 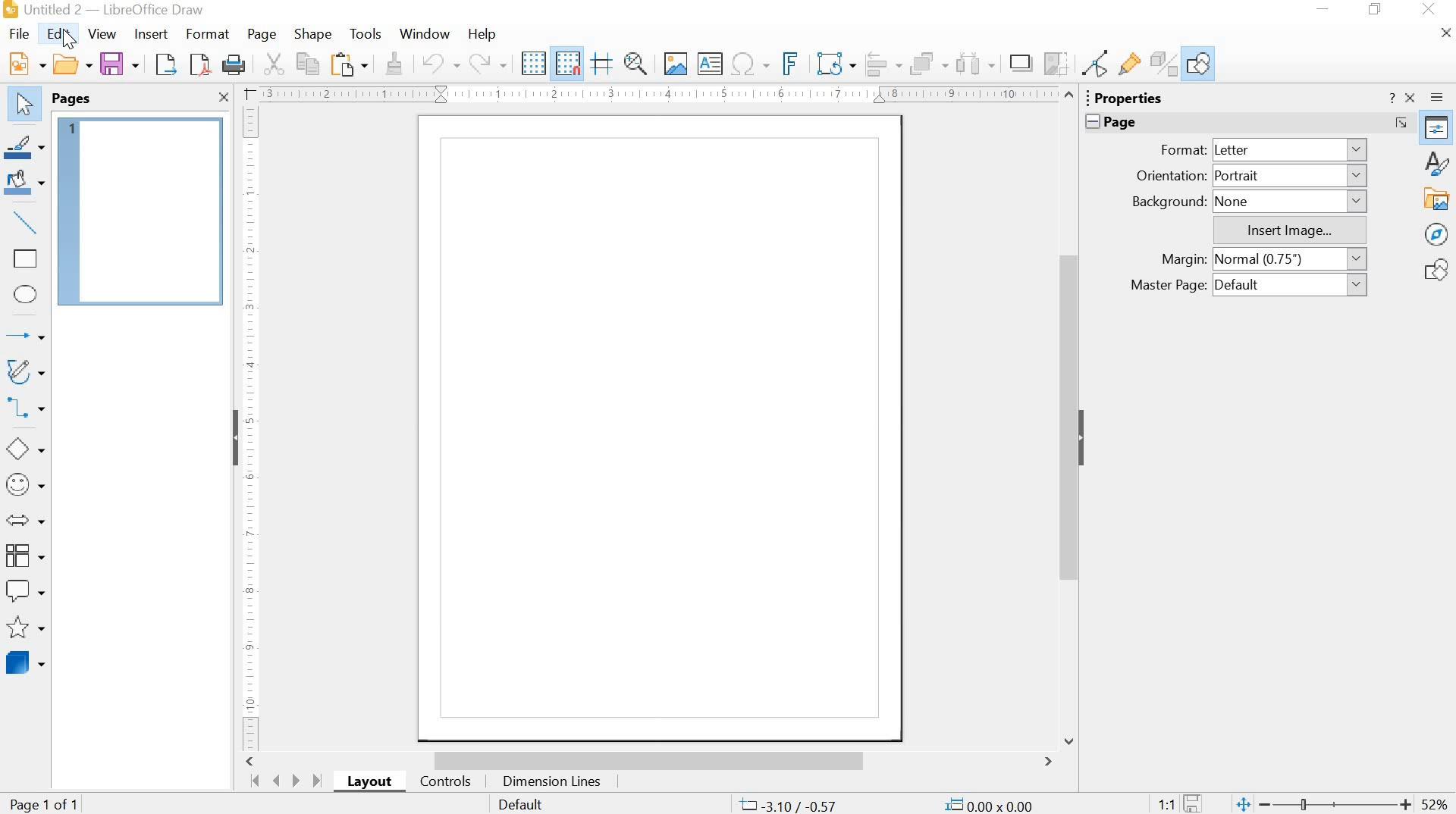 I want to click on Copy, so click(x=308, y=64).